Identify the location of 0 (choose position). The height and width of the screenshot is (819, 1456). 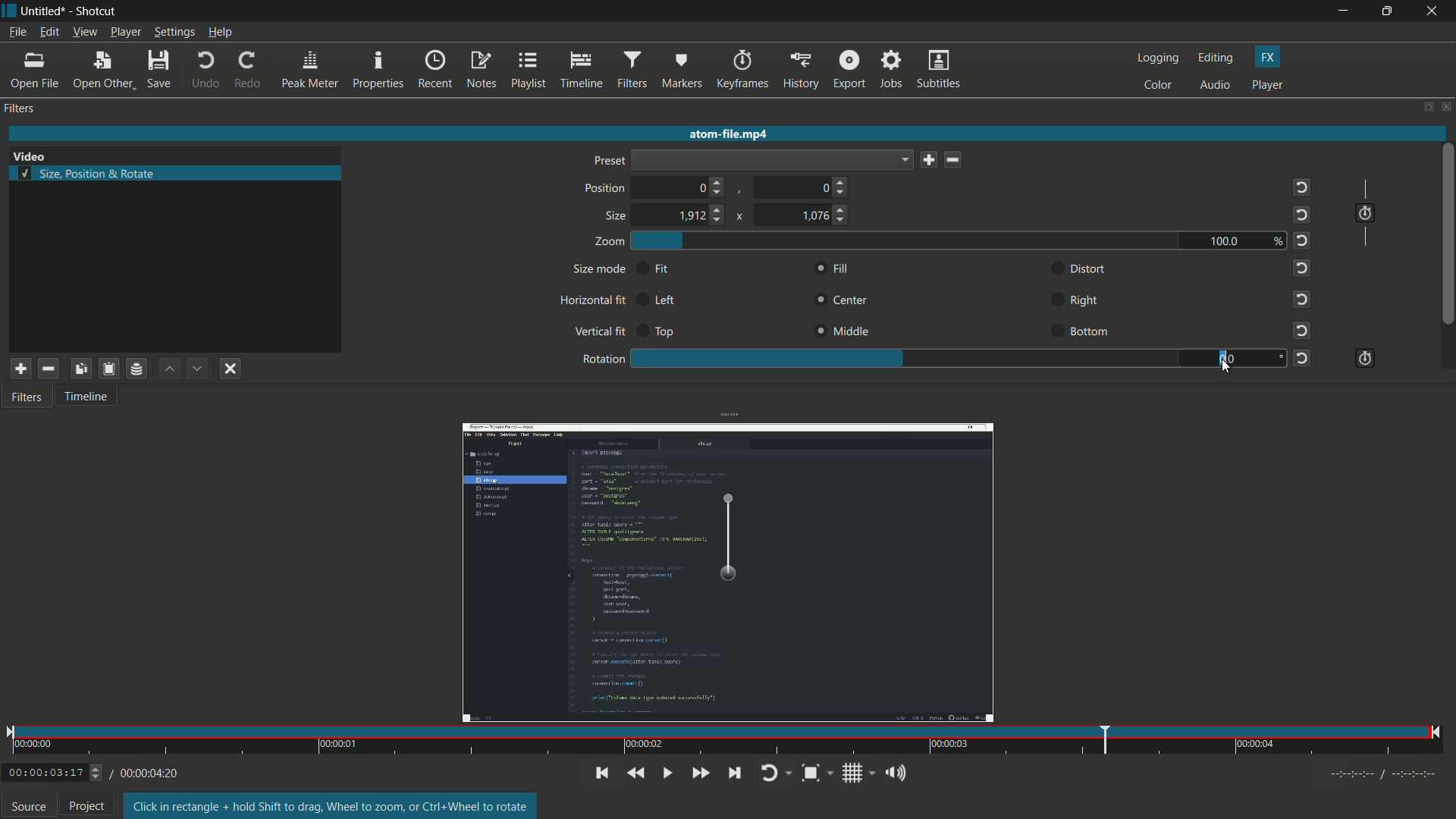
(709, 187).